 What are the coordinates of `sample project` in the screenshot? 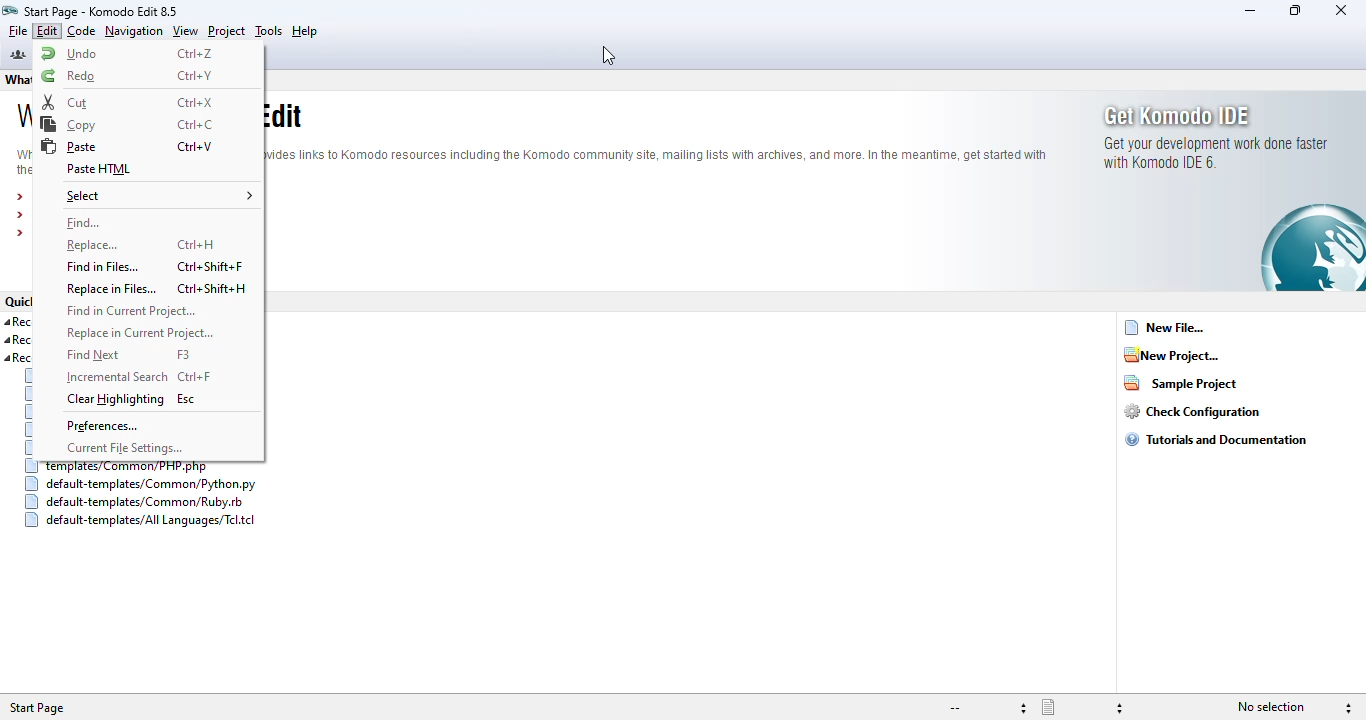 It's located at (1182, 382).